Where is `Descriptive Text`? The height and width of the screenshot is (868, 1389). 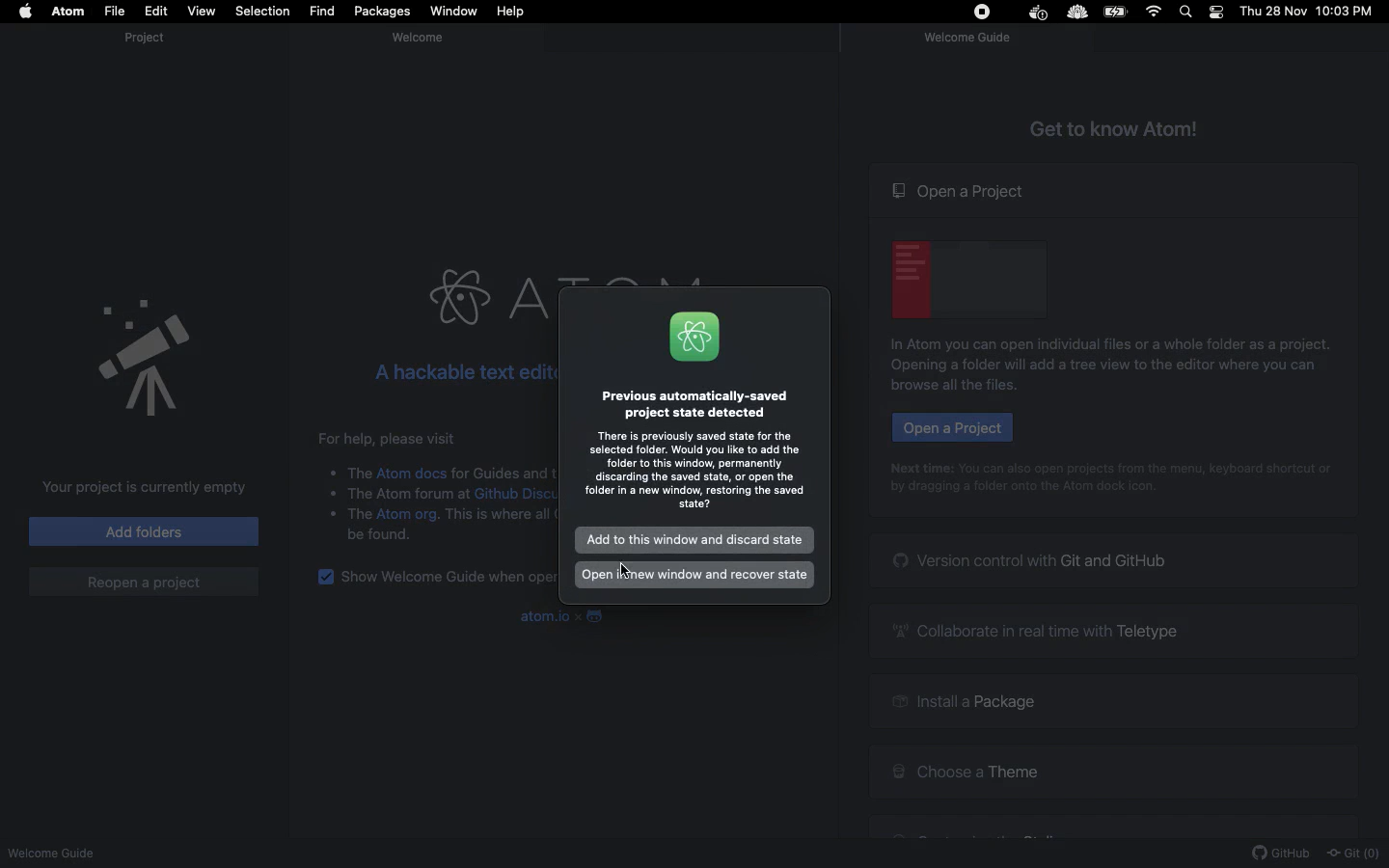
Descriptive Text is located at coordinates (504, 471).